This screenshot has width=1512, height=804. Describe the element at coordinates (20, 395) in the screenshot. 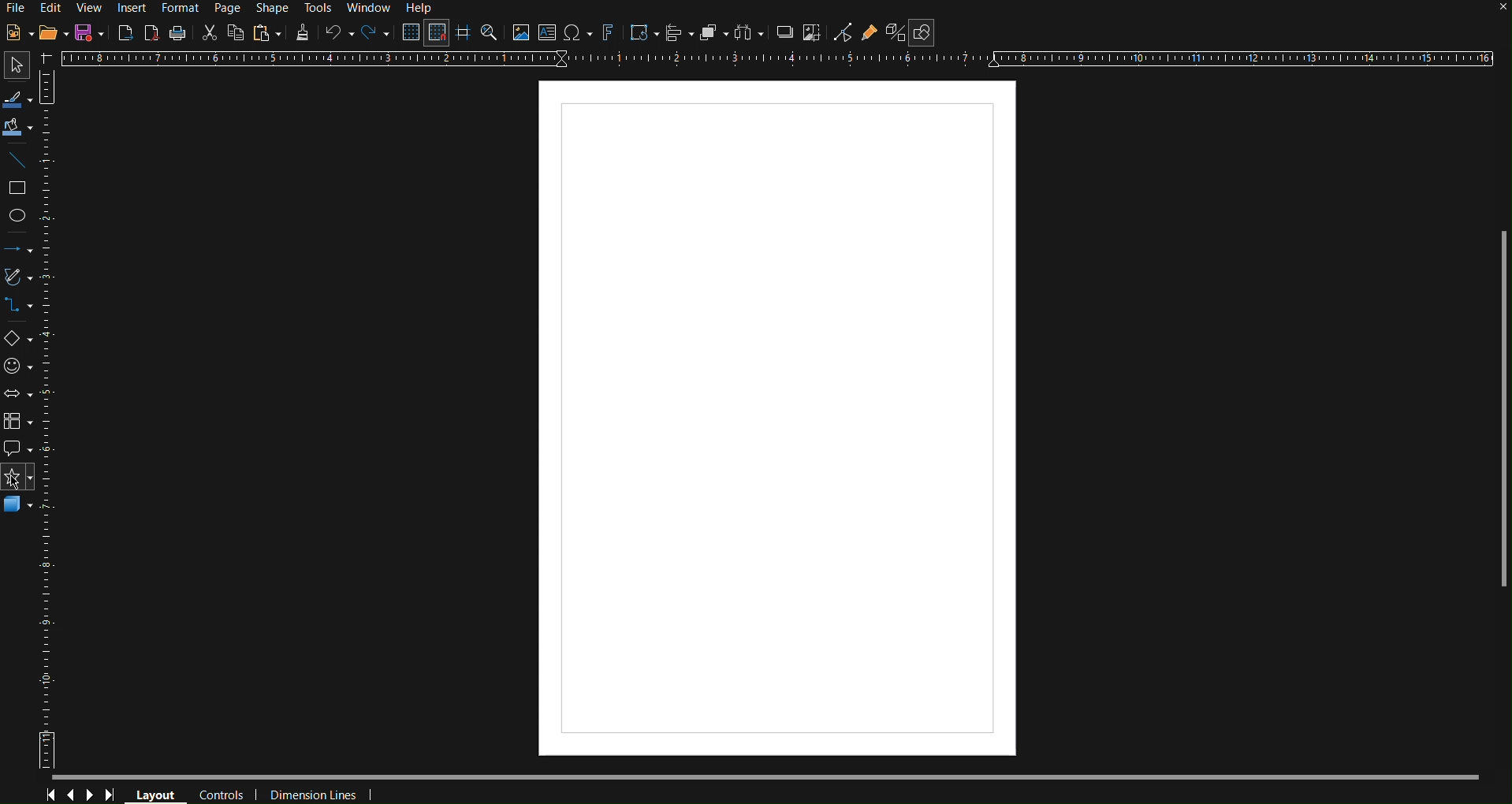

I see `Box Arrows` at that location.